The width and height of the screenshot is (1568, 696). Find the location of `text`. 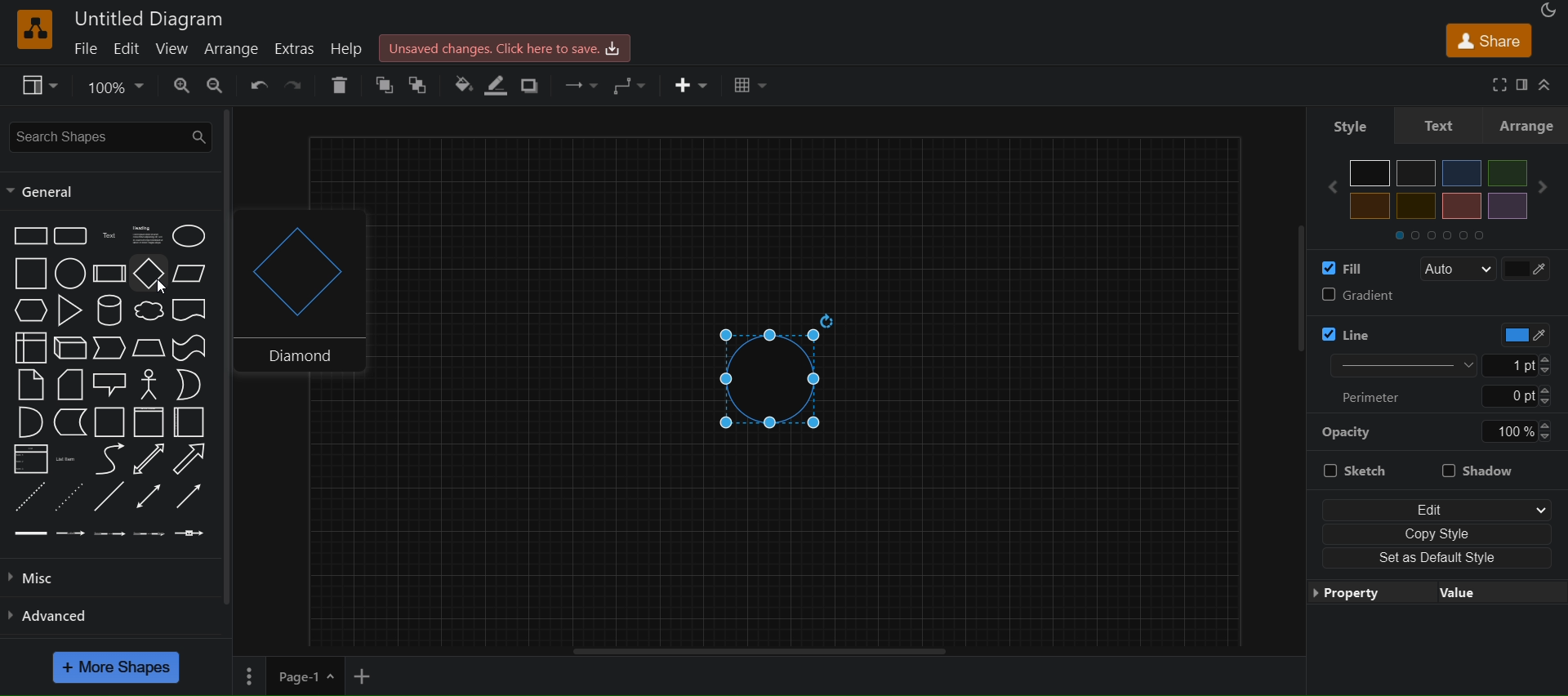

text is located at coordinates (1441, 124).